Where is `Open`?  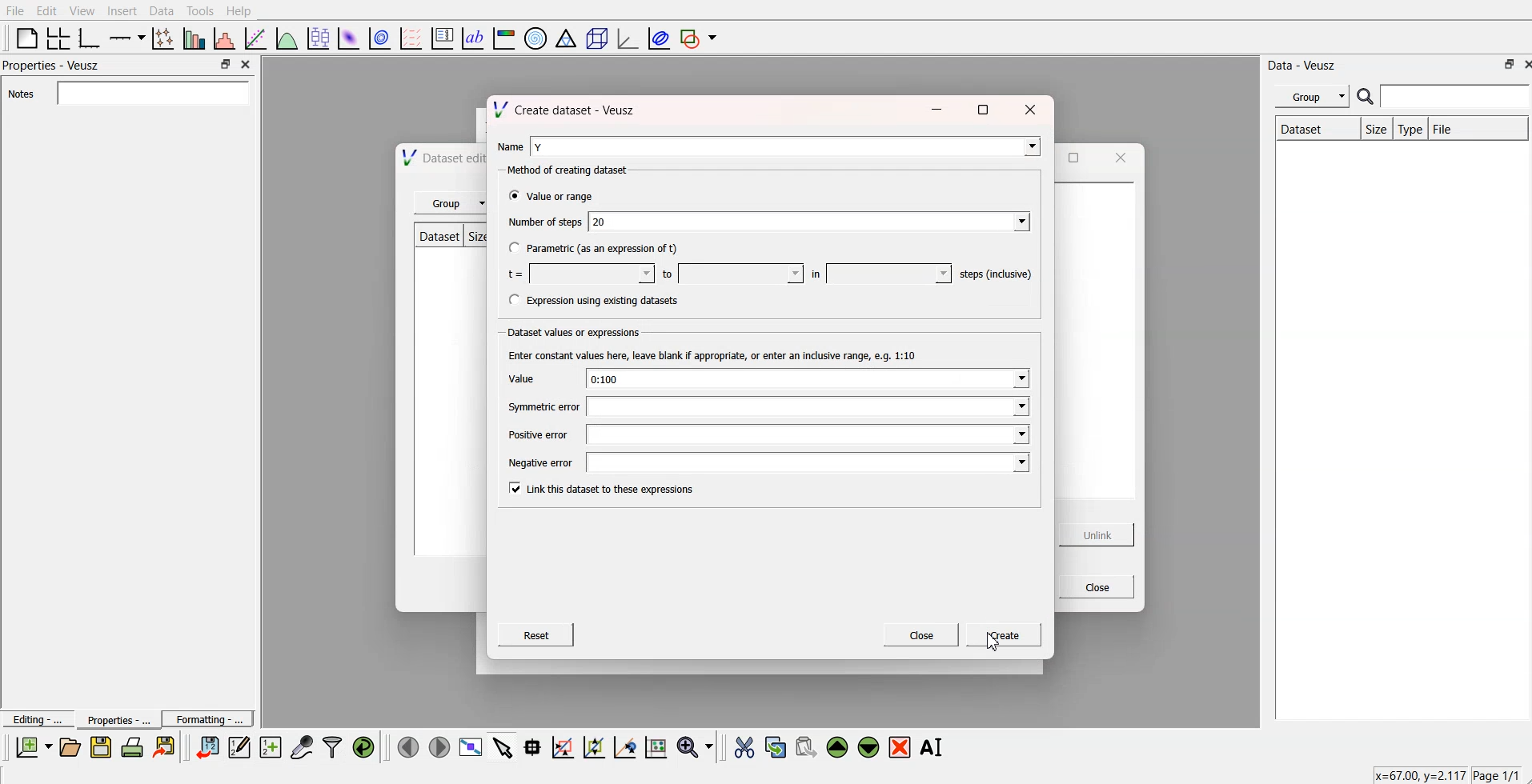 Open is located at coordinates (70, 746).